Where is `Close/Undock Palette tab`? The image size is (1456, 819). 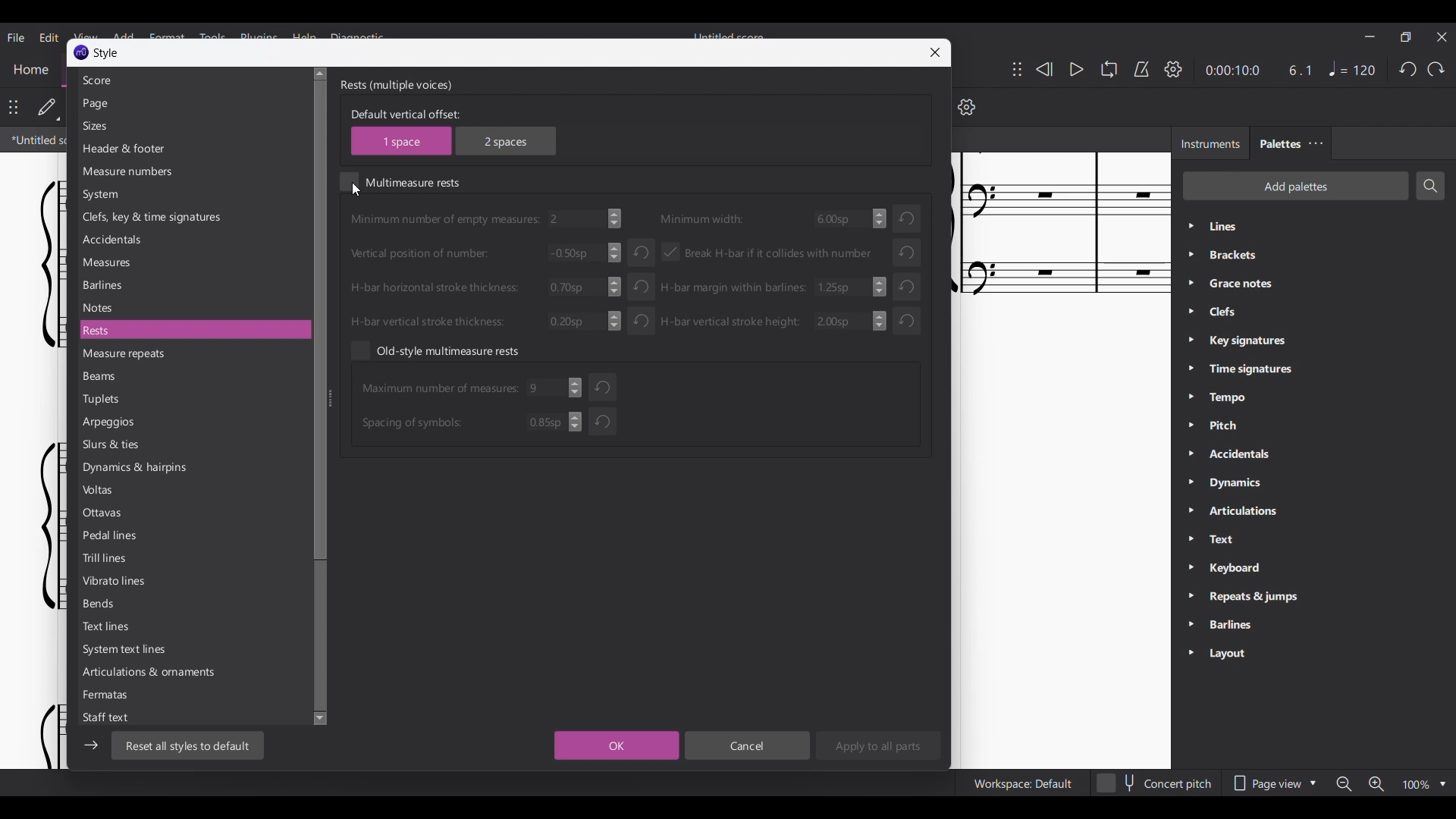 Close/Undock Palette tab is located at coordinates (1316, 143).